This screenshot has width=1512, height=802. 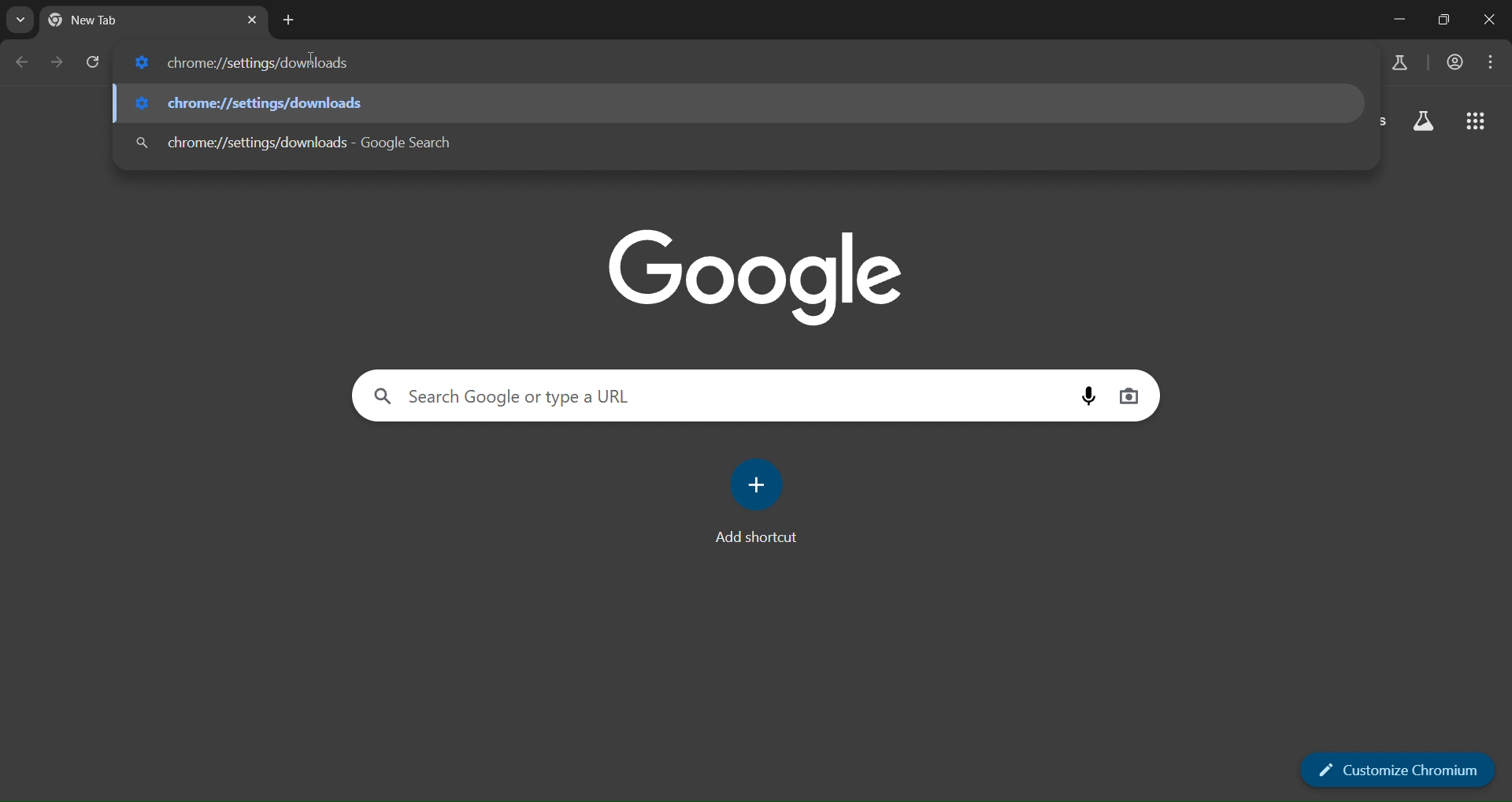 What do you see at coordinates (1440, 20) in the screenshot?
I see `restore down` at bounding box center [1440, 20].